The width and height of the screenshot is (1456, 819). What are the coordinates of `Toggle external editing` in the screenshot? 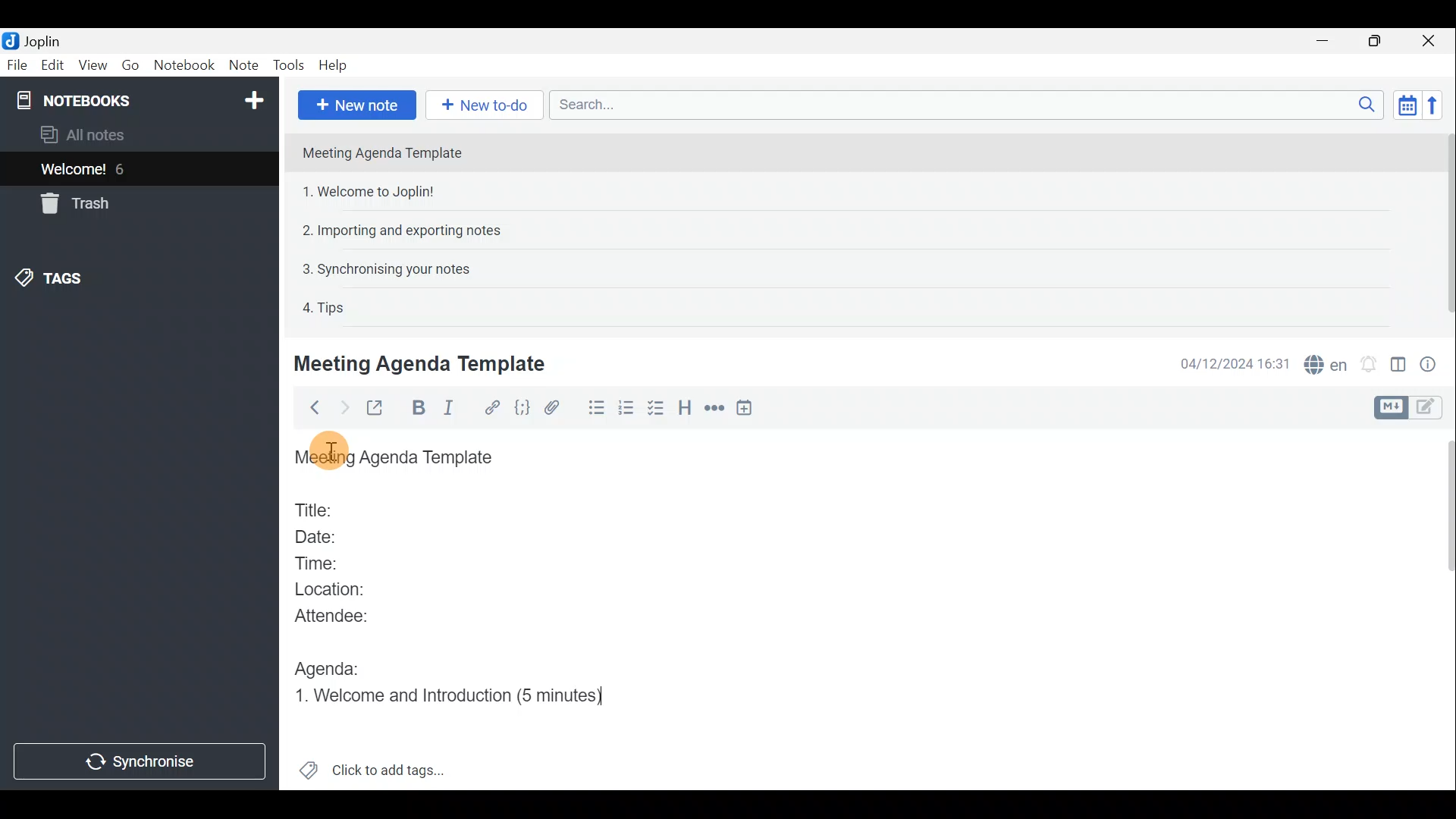 It's located at (379, 409).